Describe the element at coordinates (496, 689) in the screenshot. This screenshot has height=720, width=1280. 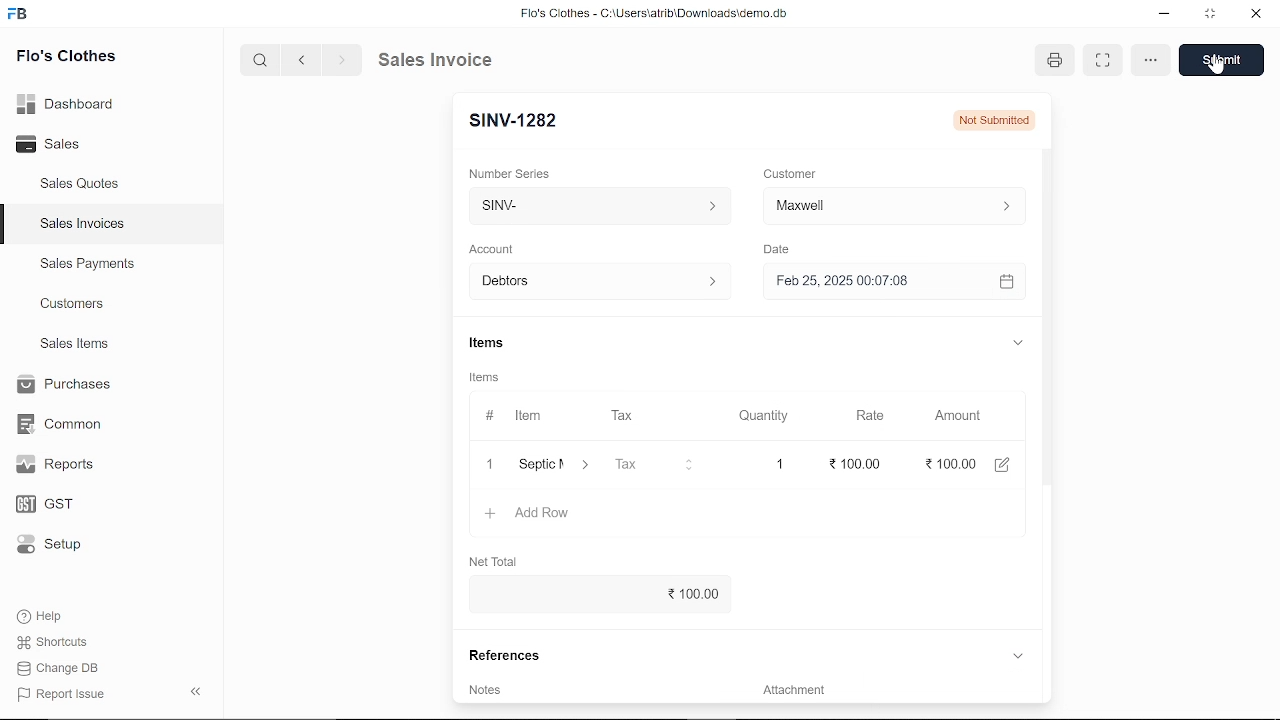
I see `Add invoice terms` at that location.